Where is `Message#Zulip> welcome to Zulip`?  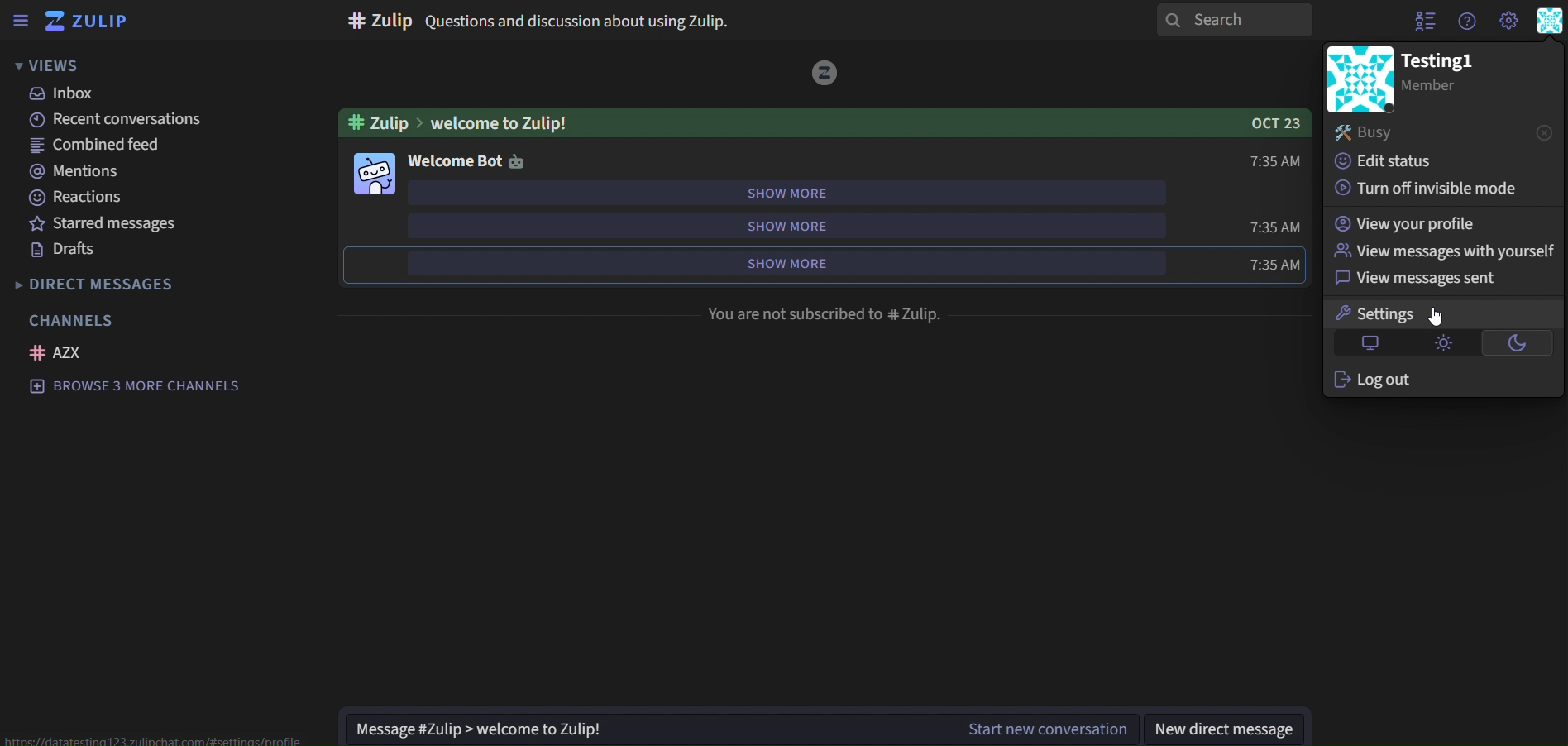 Message#Zulip> welcome to Zulip is located at coordinates (489, 728).